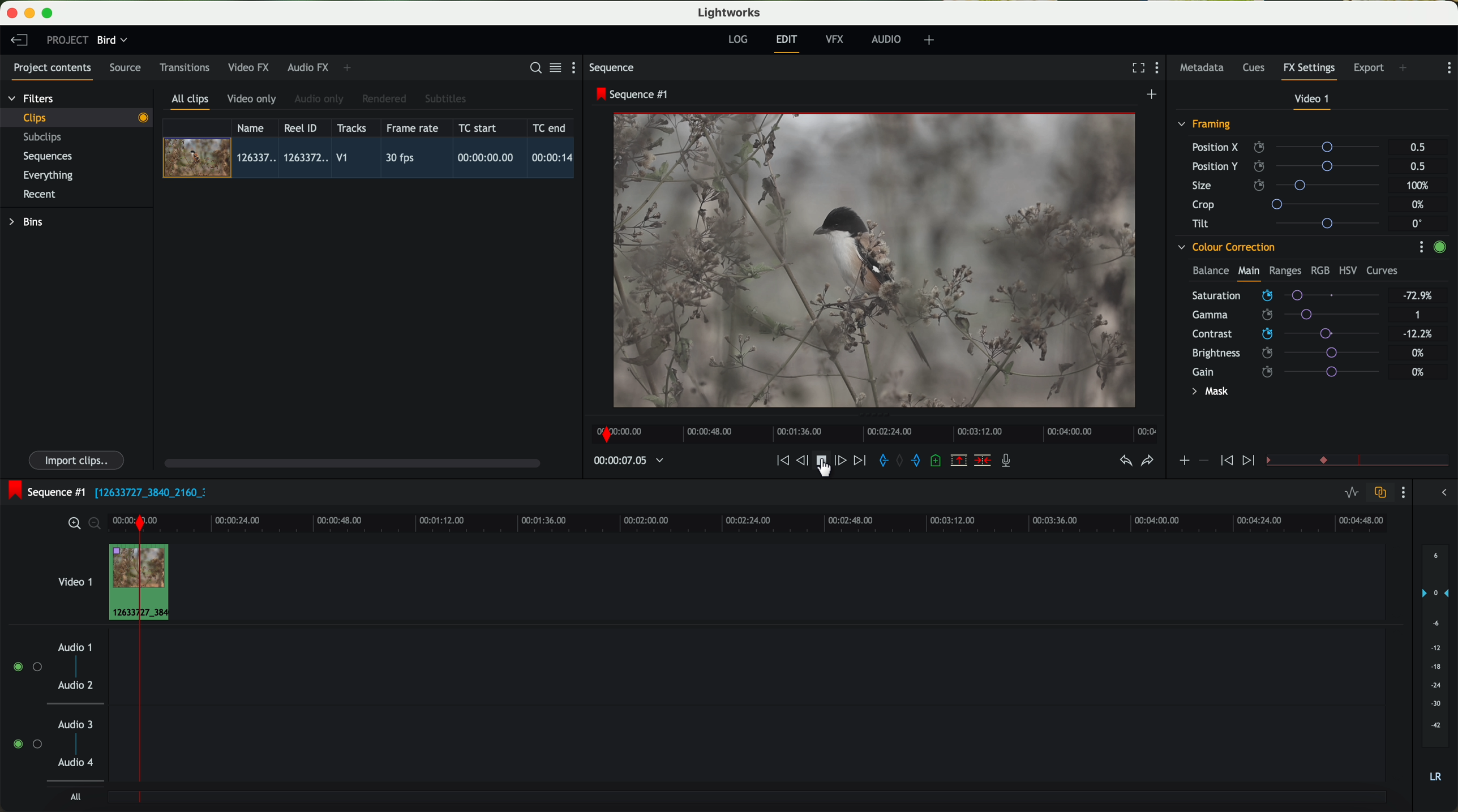 The width and height of the screenshot is (1458, 812). What do you see at coordinates (1290, 204) in the screenshot?
I see `crop` at bounding box center [1290, 204].